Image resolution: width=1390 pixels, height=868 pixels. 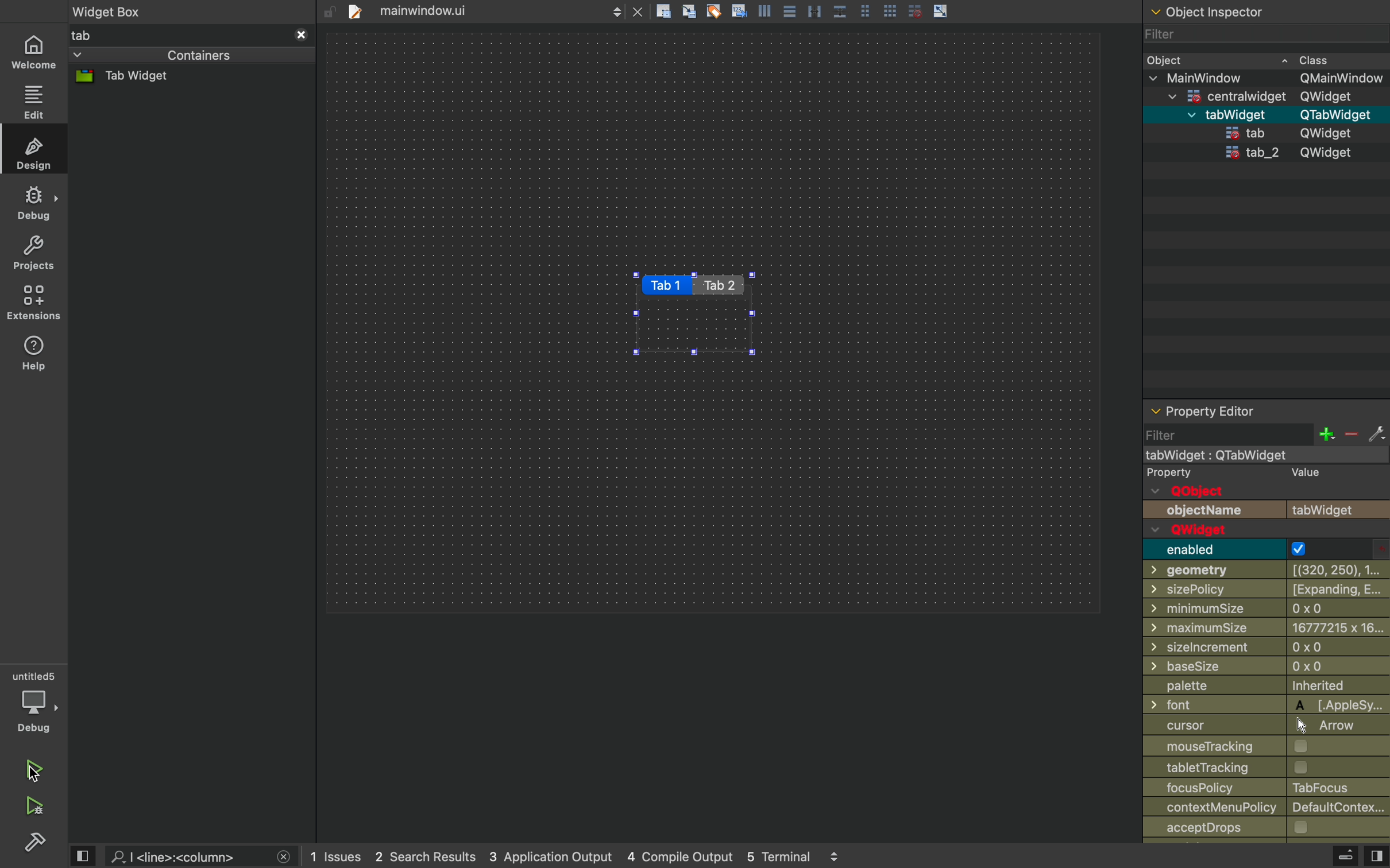 I want to click on view, so click(x=82, y=857).